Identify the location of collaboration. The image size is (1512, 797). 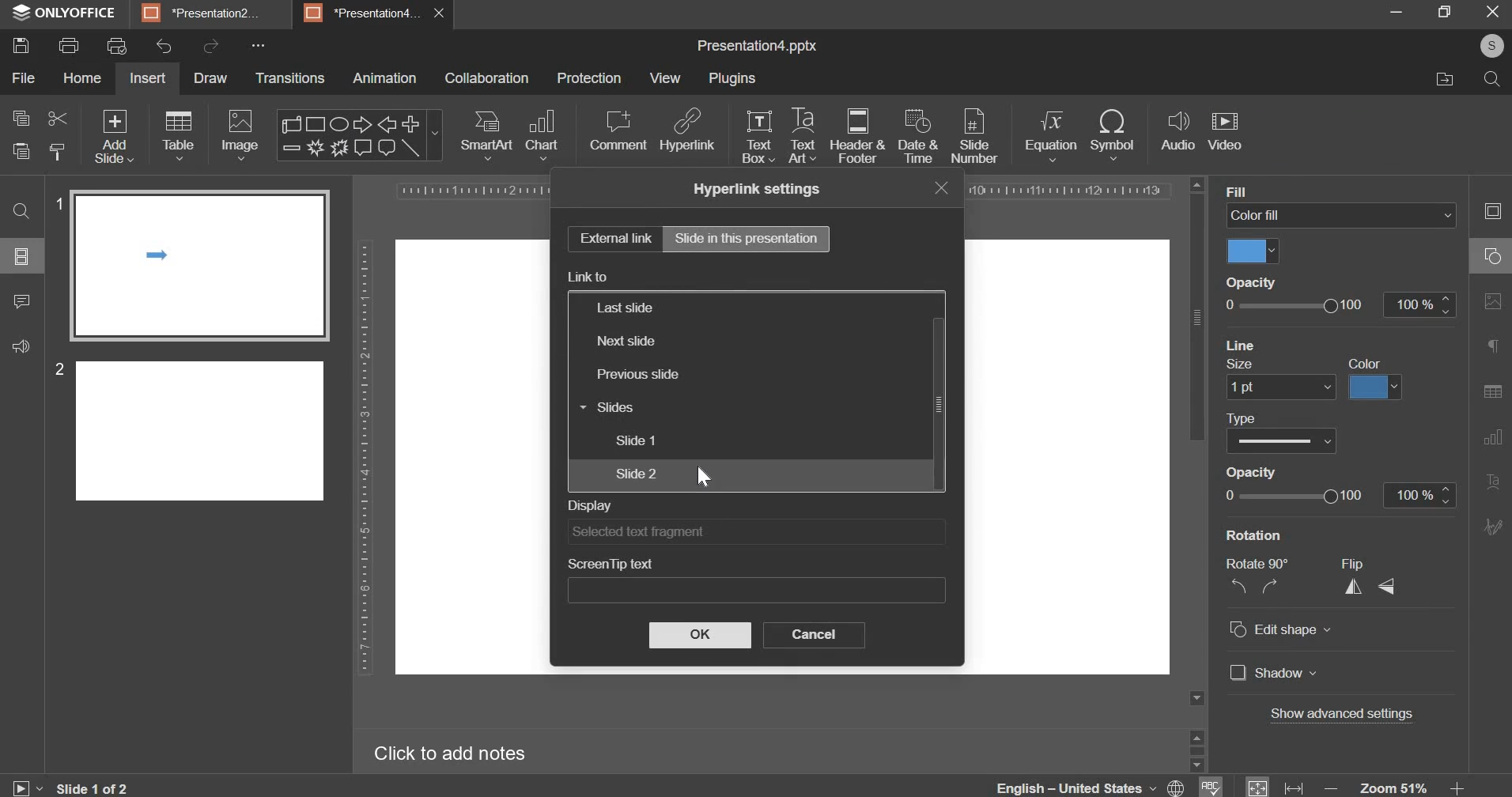
(489, 78).